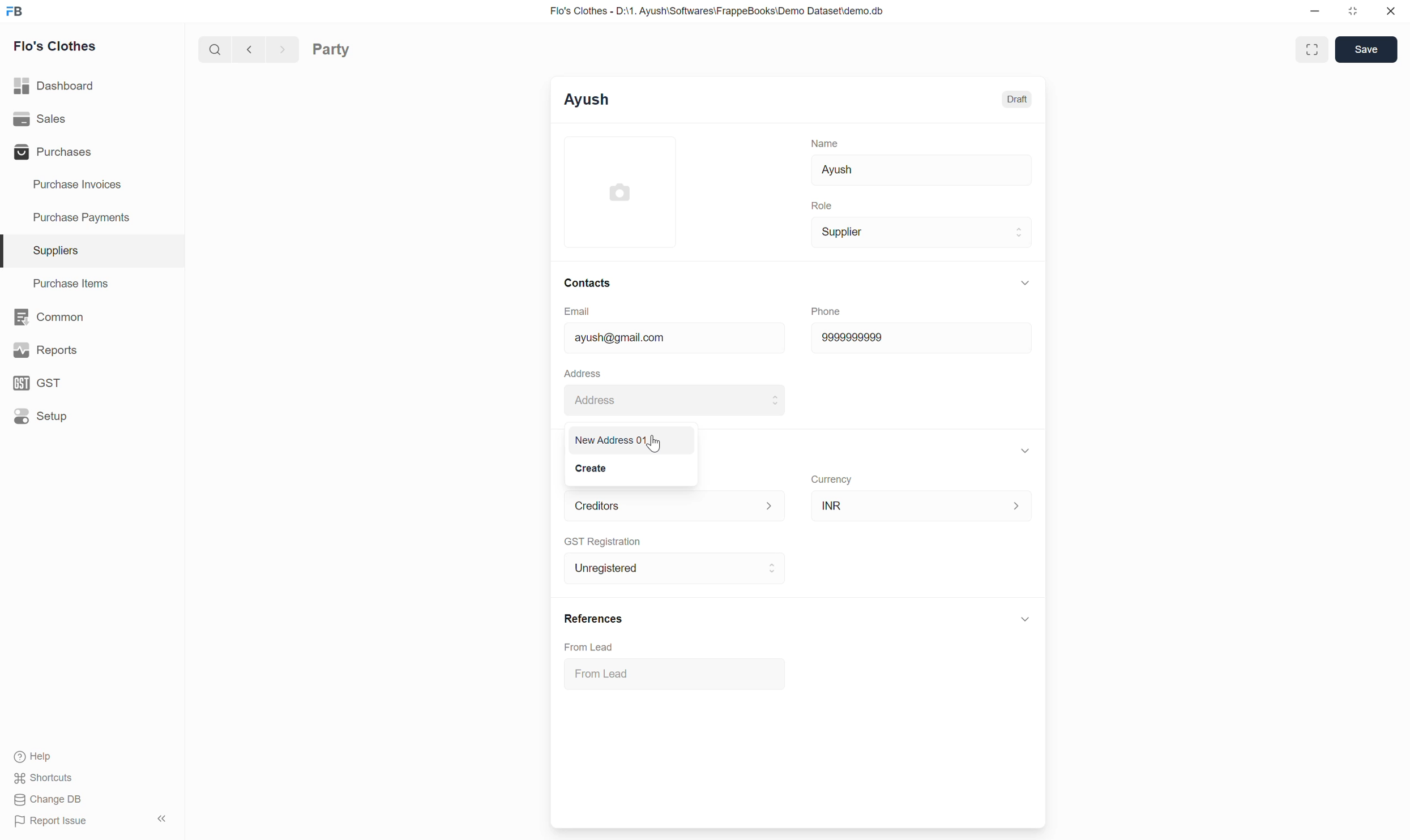 The width and height of the screenshot is (1410, 840). What do you see at coordinates (675, 568) in the screenshot?
I see `Unregistered` at bounding box center [675, 568].